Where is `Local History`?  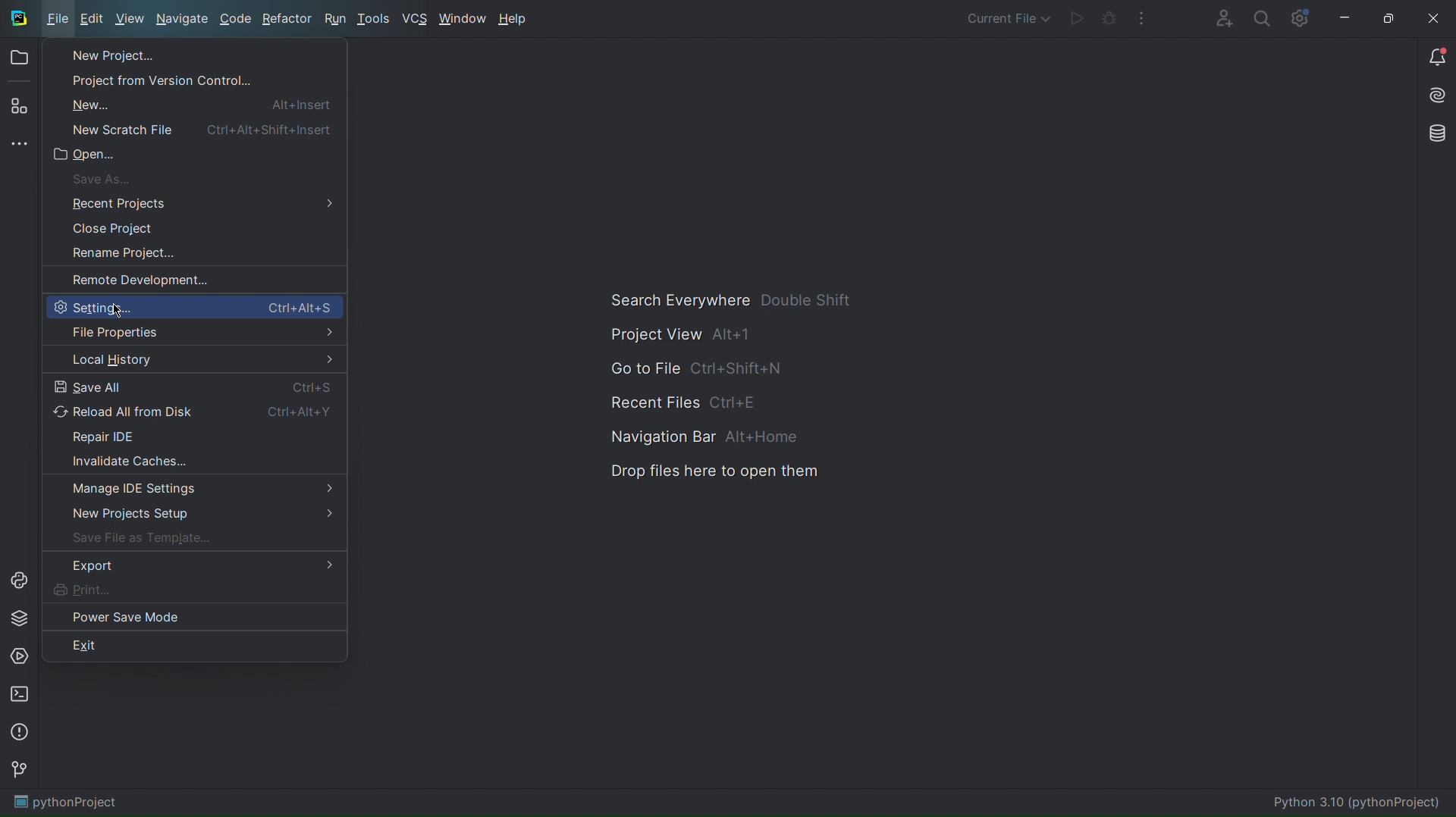 Local History is located at coordinates (194, 360).